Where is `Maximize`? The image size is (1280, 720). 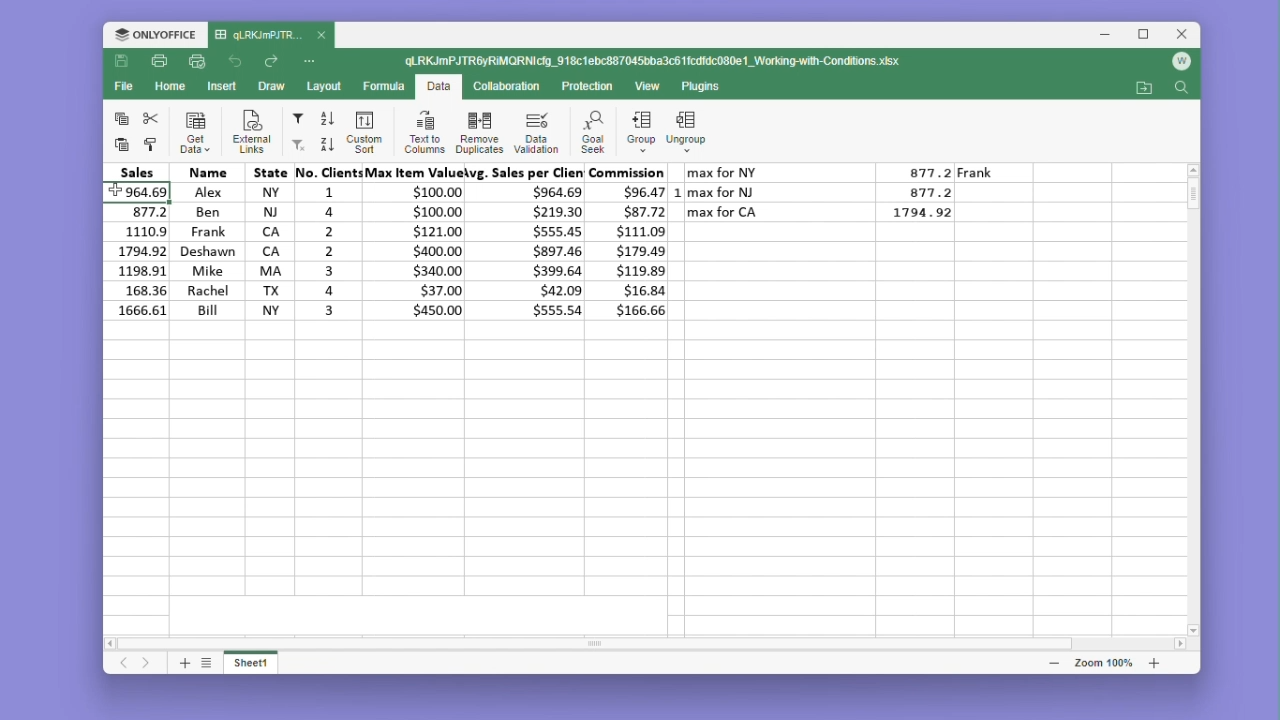 Maximize is located at coordinates (1148, 35).